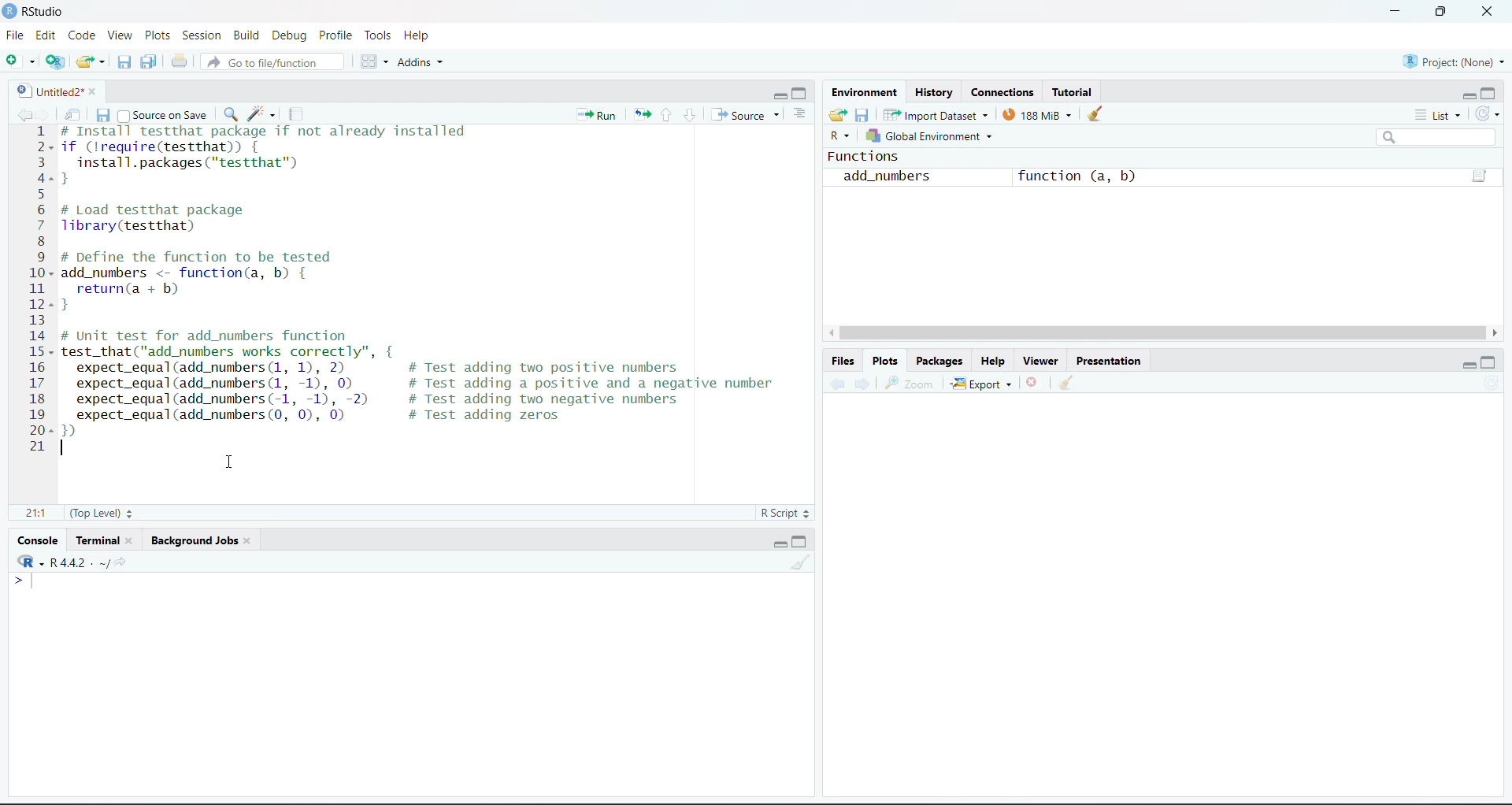 The image size is (1512, 805). I want to click on save current document, so click(128, 61).